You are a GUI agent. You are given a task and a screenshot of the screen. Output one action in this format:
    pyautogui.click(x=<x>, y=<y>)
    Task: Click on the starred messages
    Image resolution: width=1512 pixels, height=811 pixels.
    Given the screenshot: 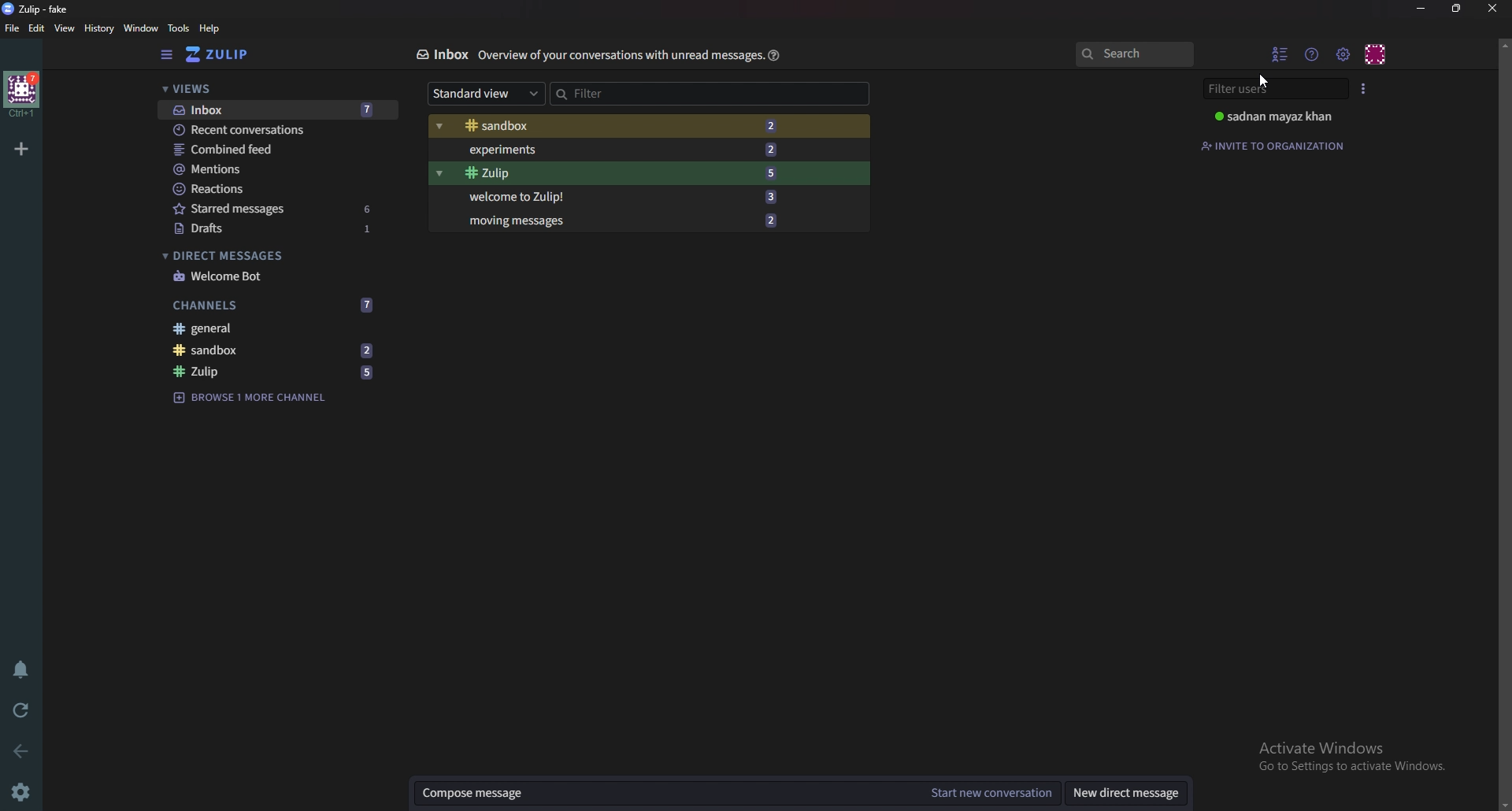 What is the action you would take?
    pyautogui.click(x=273, y=208)
    